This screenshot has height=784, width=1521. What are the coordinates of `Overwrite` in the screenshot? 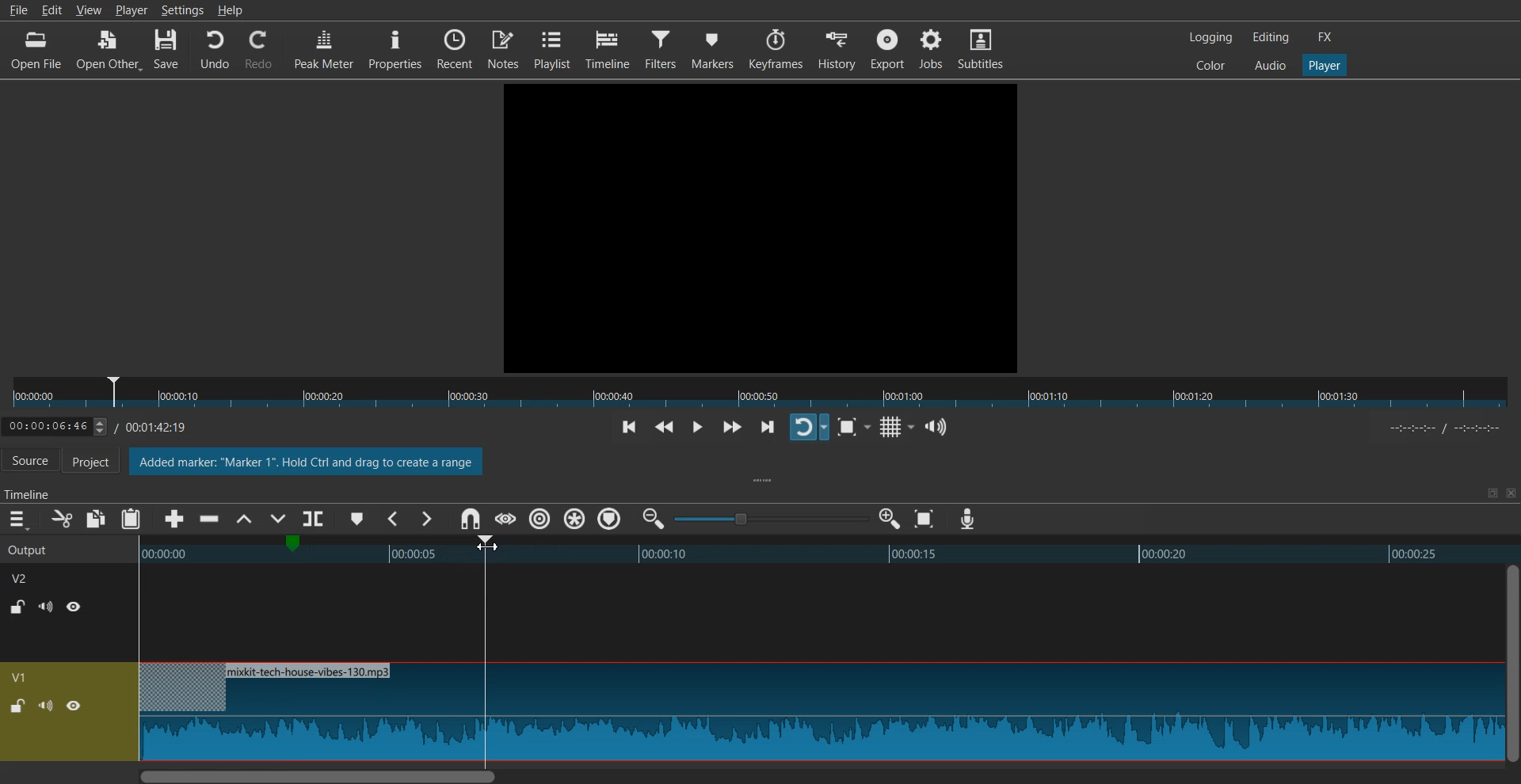 It's located at (276, 520).